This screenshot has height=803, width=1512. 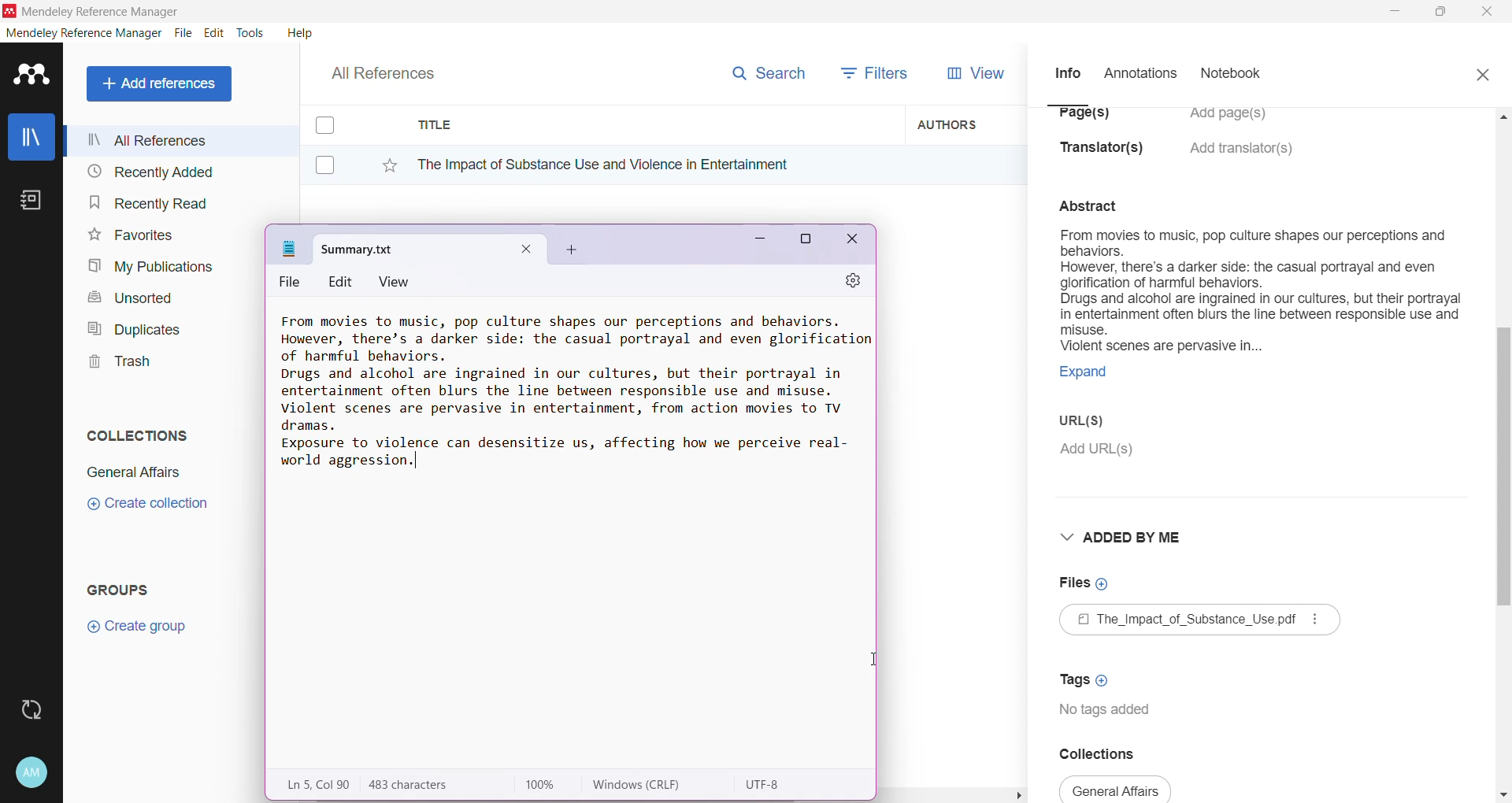 I want to click on Collections, so click(x=1109, y=753).